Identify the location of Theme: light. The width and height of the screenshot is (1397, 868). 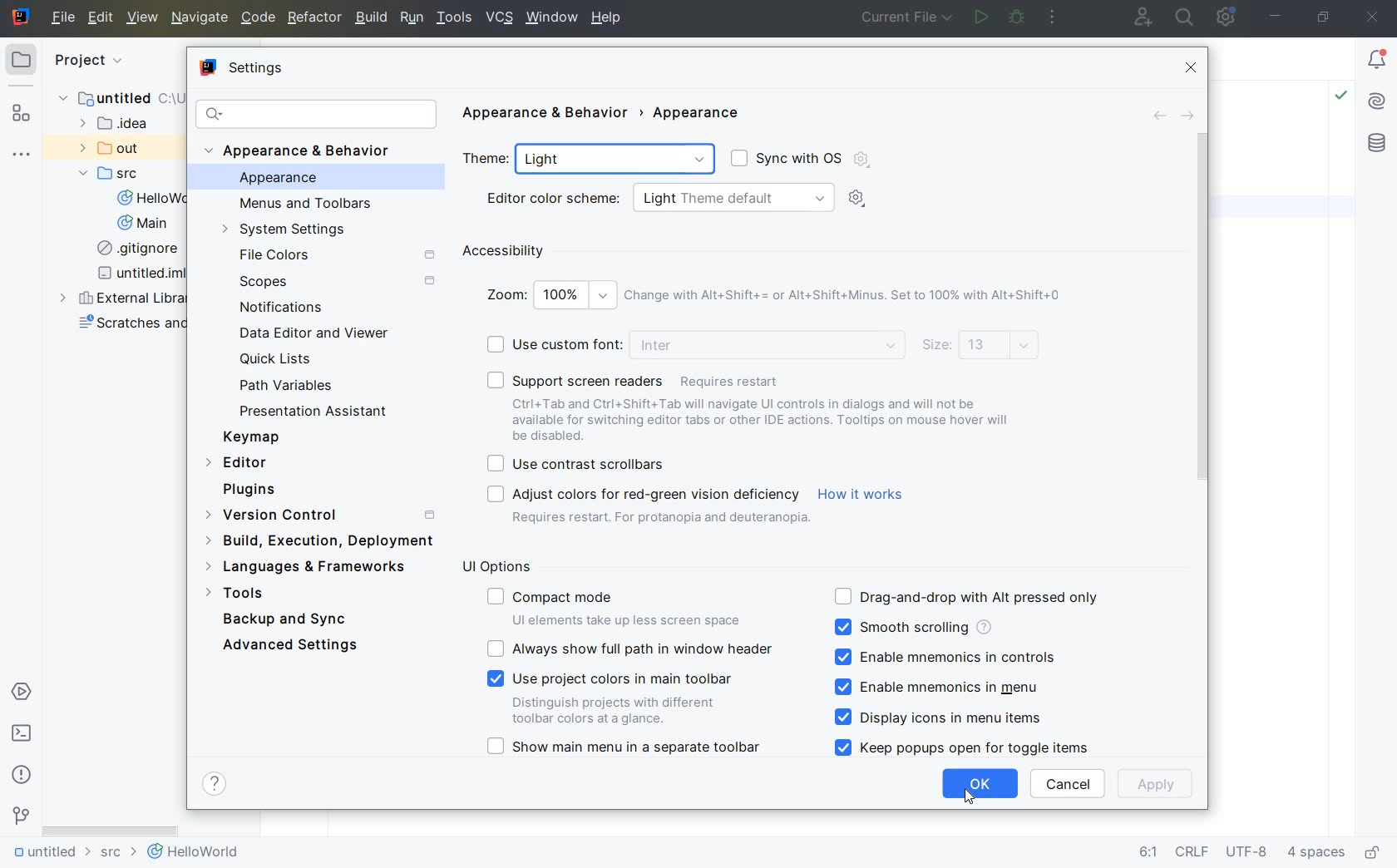
(591, 160).